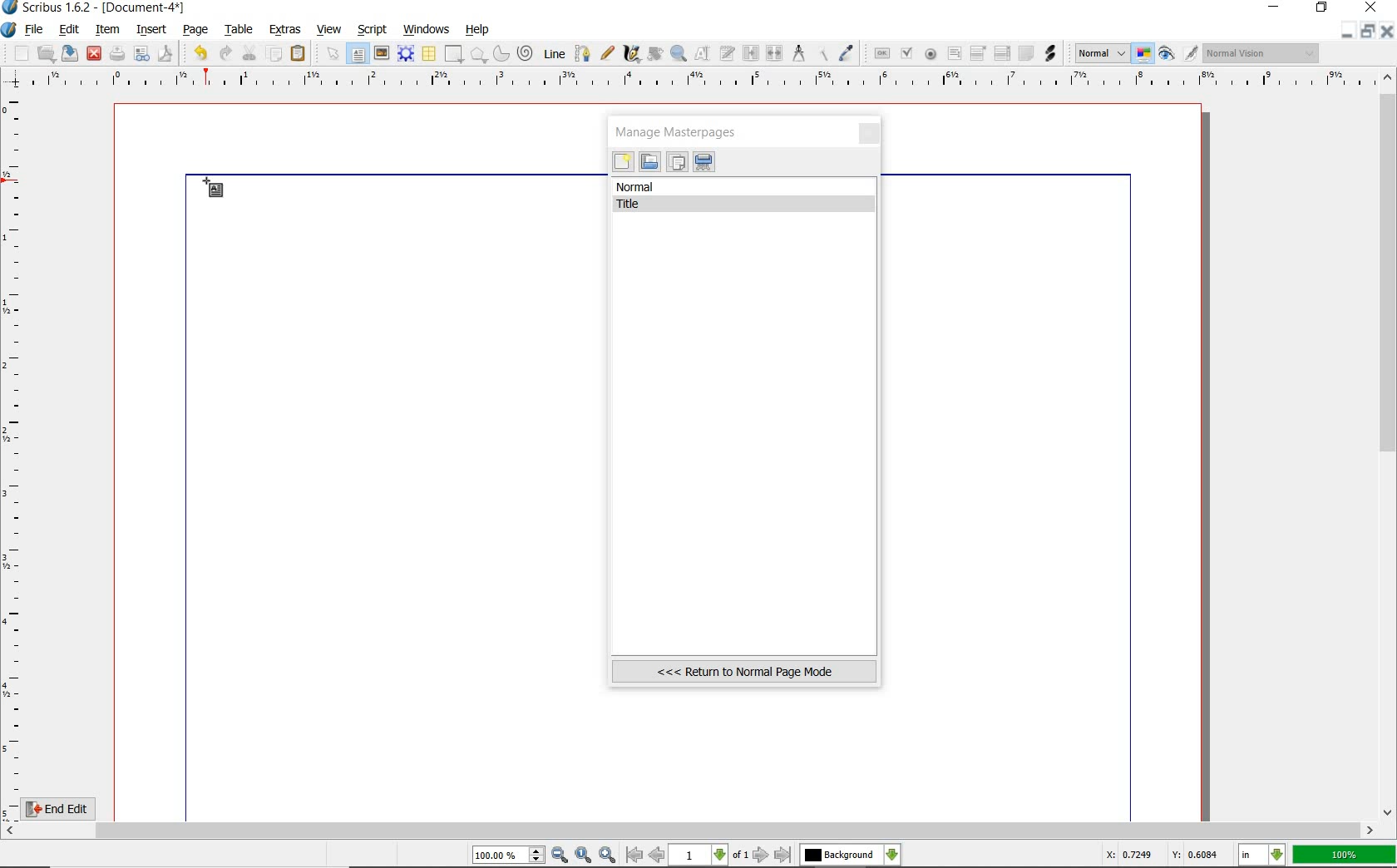 This screenshot has width=1397, height=868. I want to click on help, so click(478, 30).